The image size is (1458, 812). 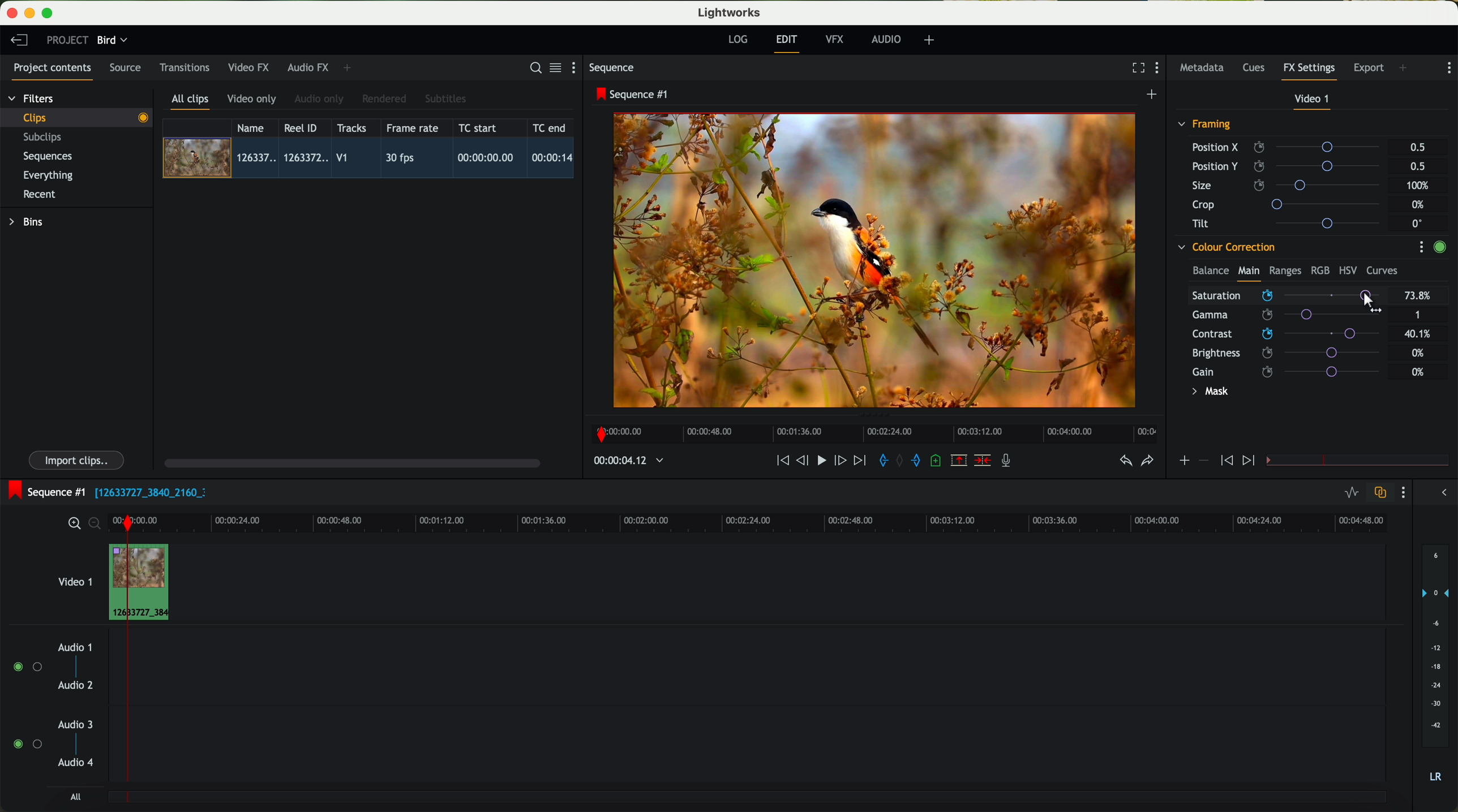 I want to click on icon, so click(x=1183, y=462).